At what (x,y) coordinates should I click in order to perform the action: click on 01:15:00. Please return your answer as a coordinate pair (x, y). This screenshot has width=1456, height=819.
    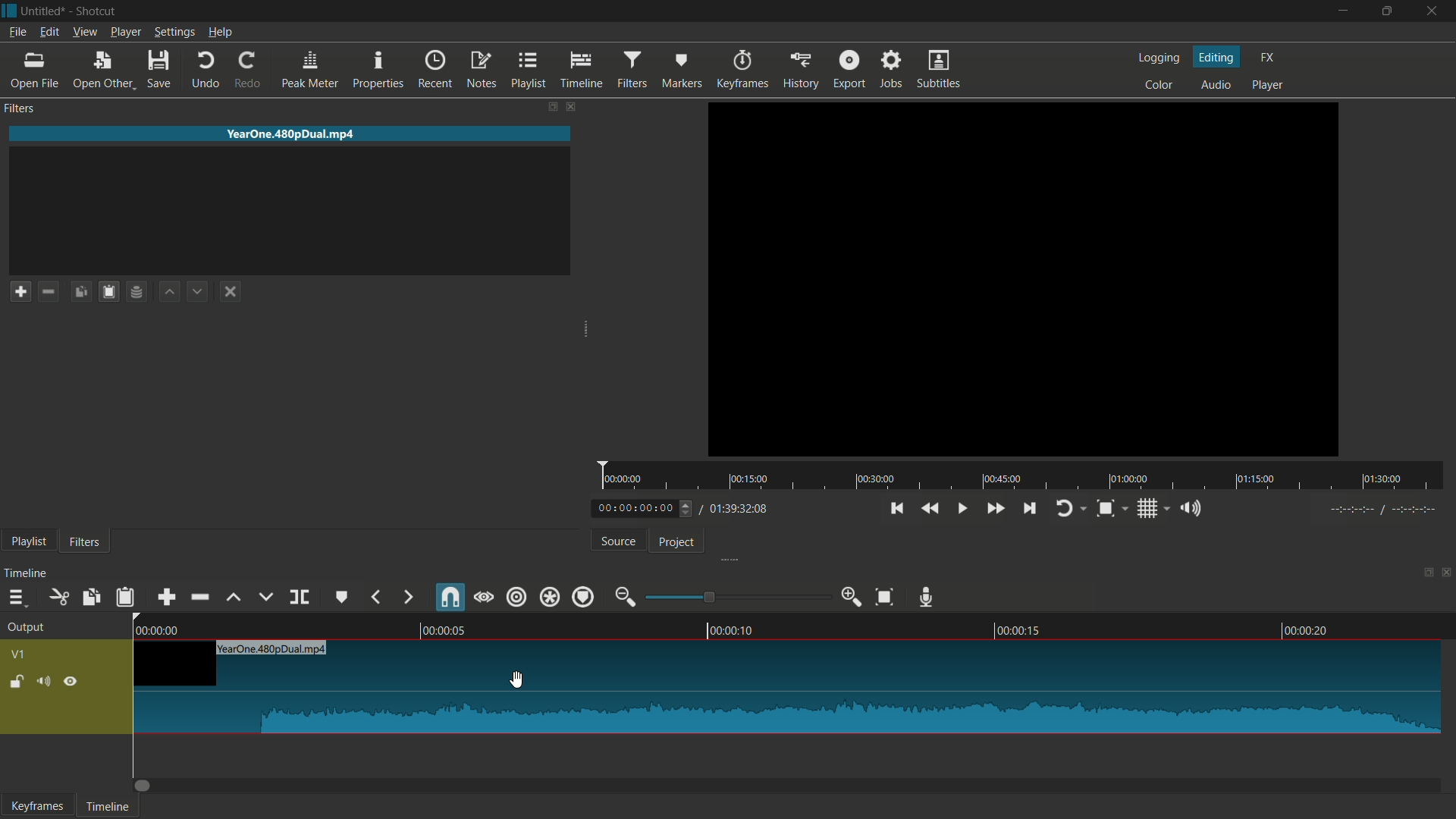
    Looking at the image, I should click on (1254, 479).